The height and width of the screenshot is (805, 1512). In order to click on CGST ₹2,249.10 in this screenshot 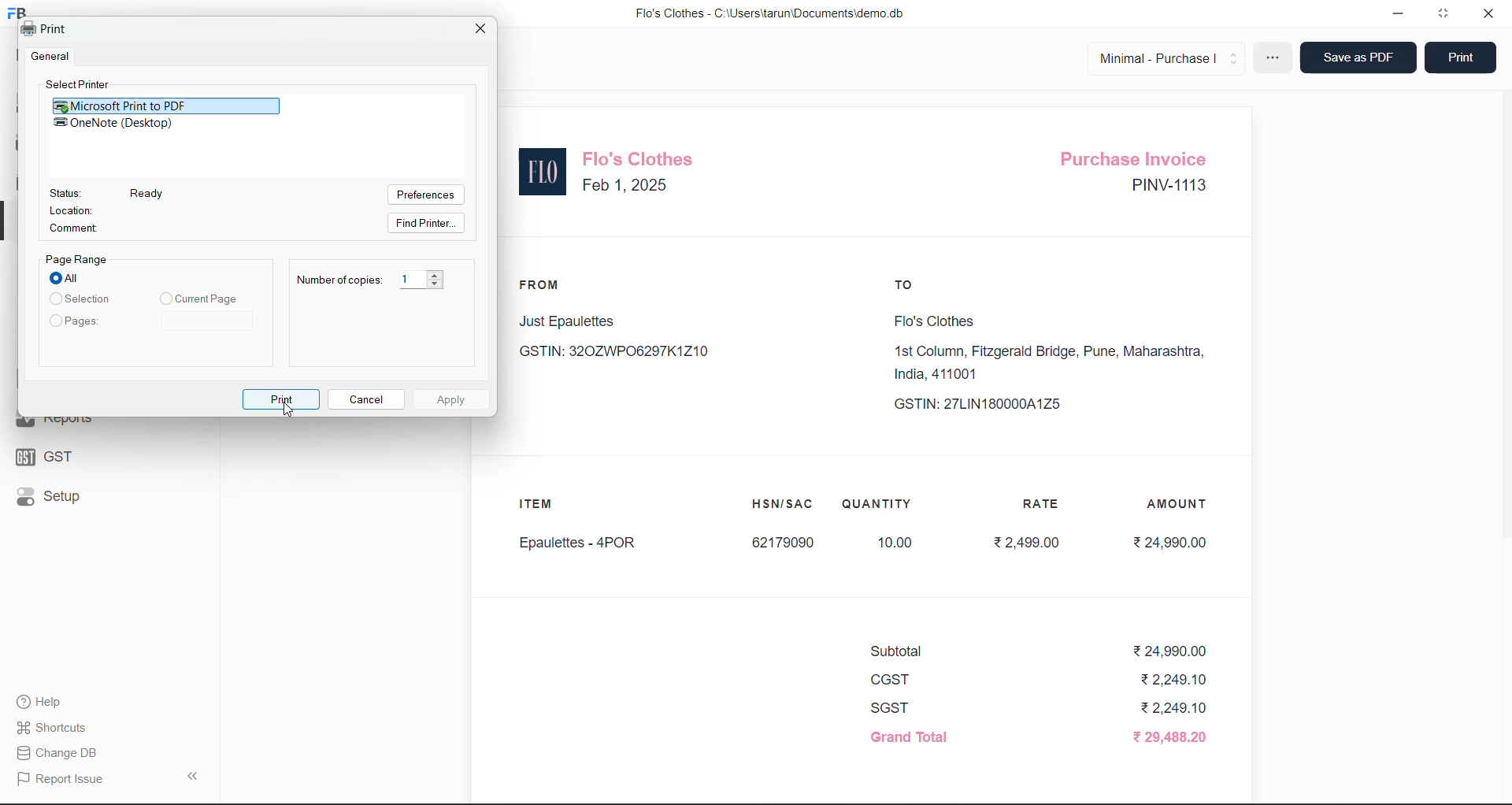, I will do `click(1040, 681)`.